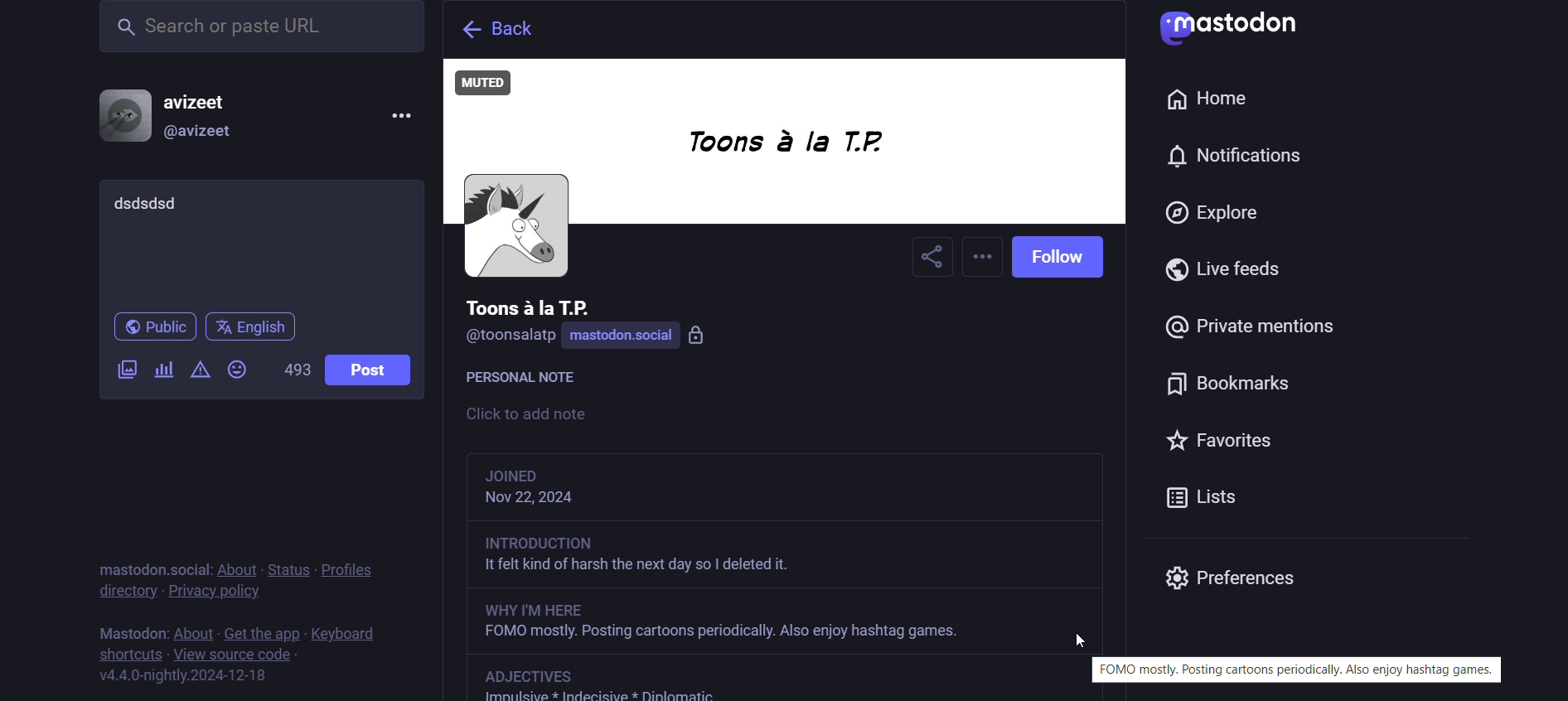  Describe the element at coordinates (510, 340) in the screenshot. I see `@username` at that location.